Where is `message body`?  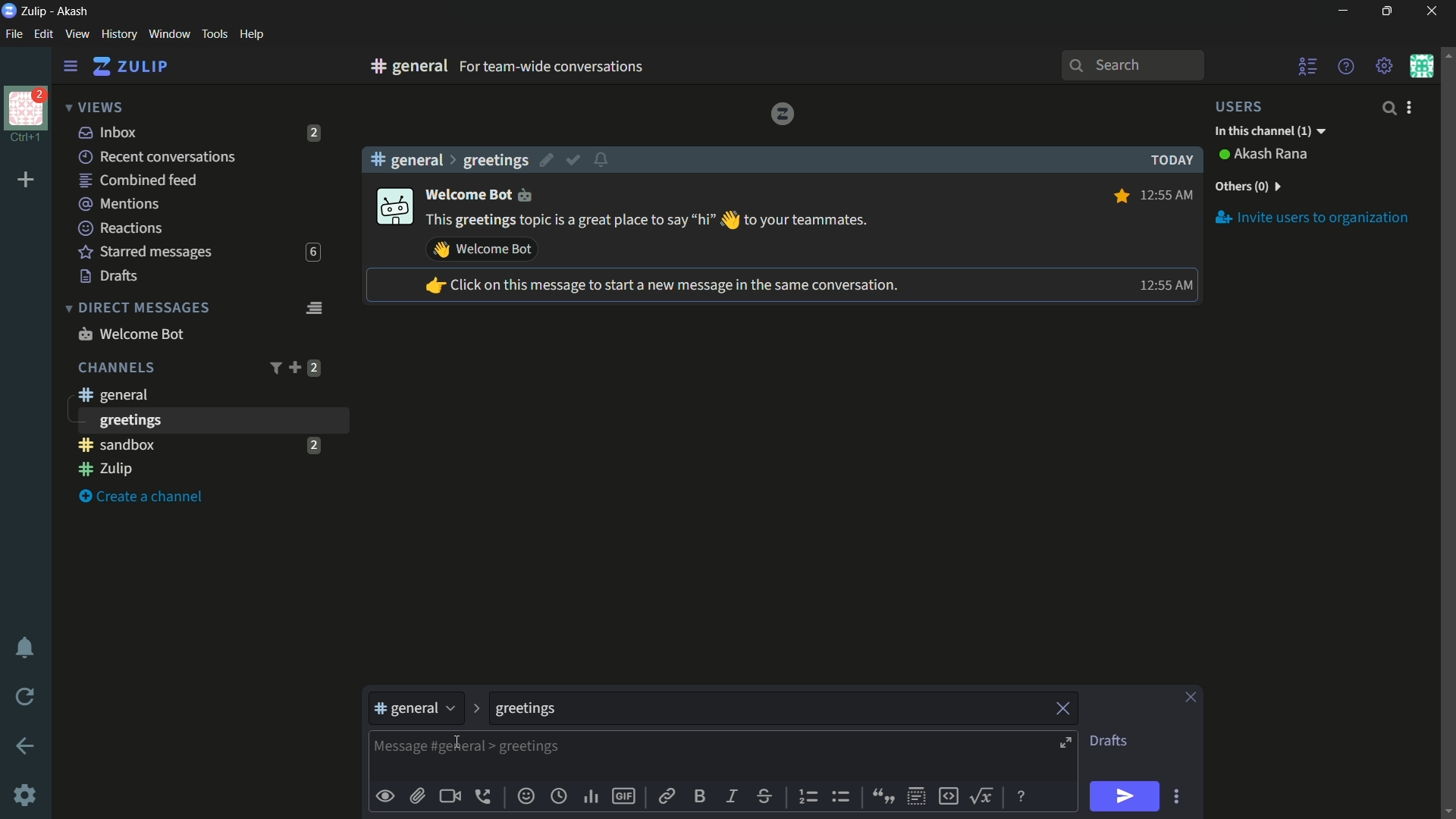 message body is located at coordinates (734, 758).